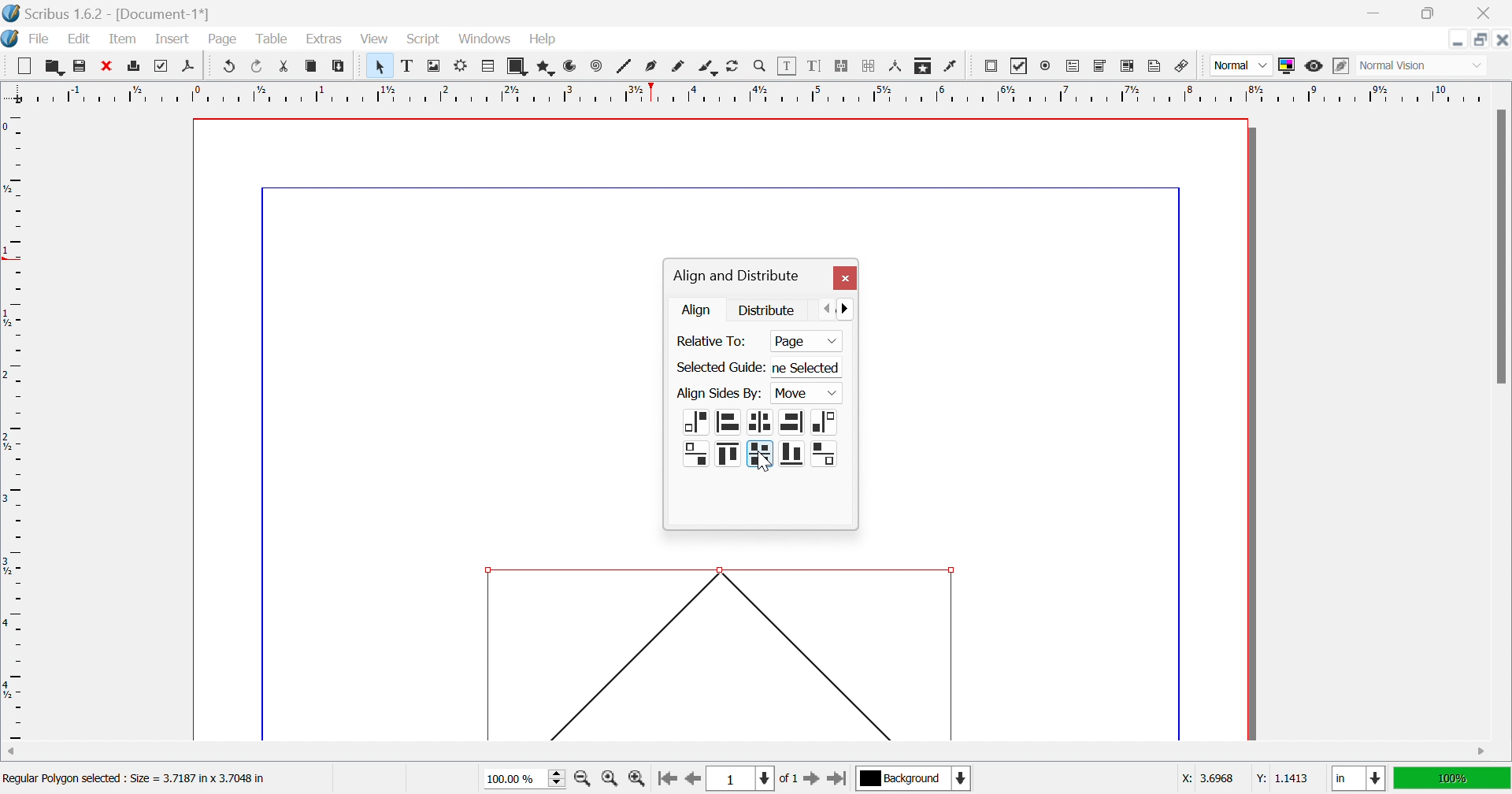 The height and width of the screenshot is (794, 1512). Describe the element at coordinates (636, 782) in the screenshot. I see `Zoom in by the stepping value in Tools preferences` at that location.